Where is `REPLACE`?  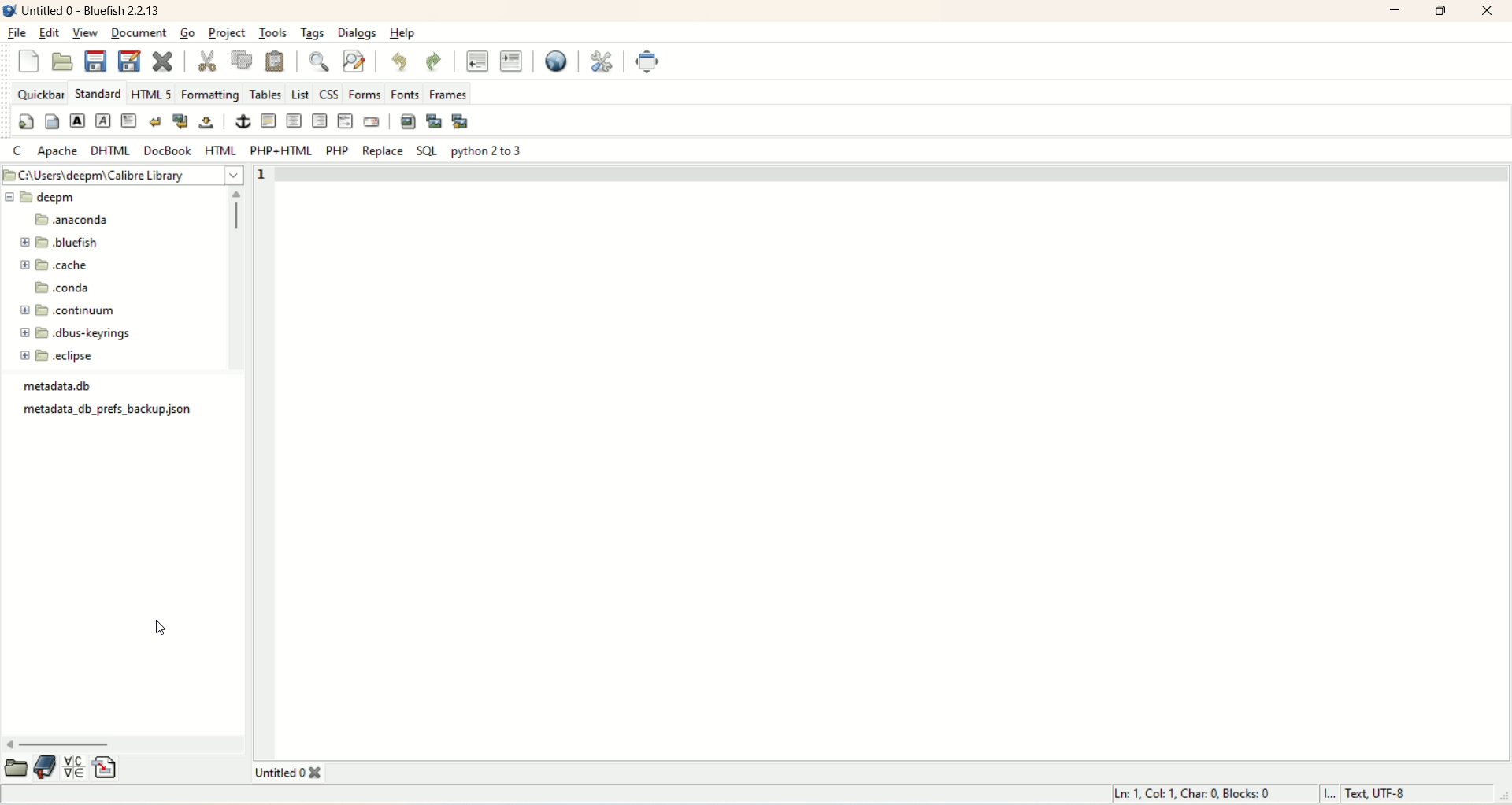 REPLACE is located at coordinates (382, 154).